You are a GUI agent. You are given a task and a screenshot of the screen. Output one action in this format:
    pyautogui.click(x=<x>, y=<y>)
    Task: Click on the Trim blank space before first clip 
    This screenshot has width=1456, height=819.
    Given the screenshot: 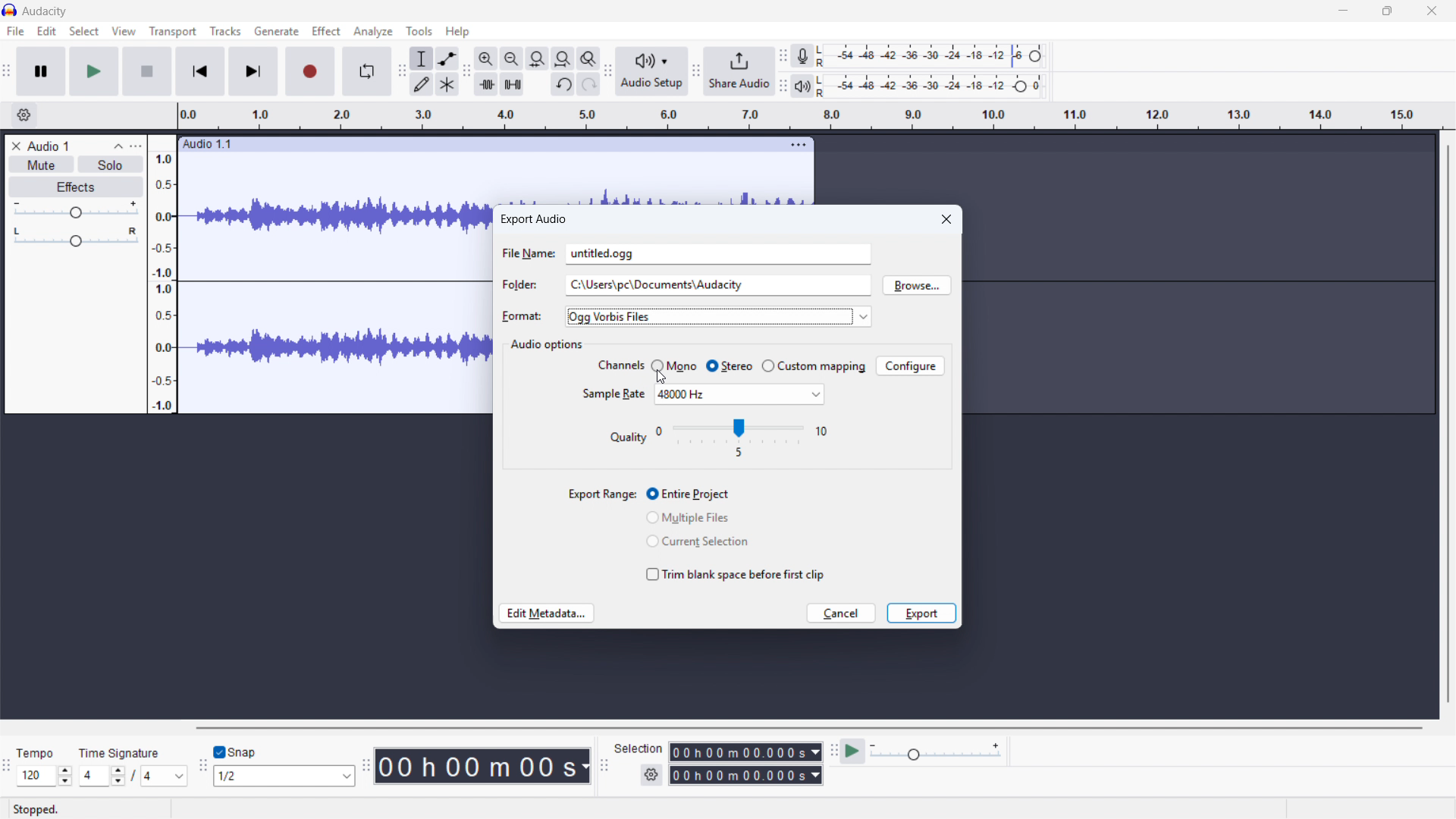 What is the action you would take?
    pyautogui.click(x=736, y=575)
    